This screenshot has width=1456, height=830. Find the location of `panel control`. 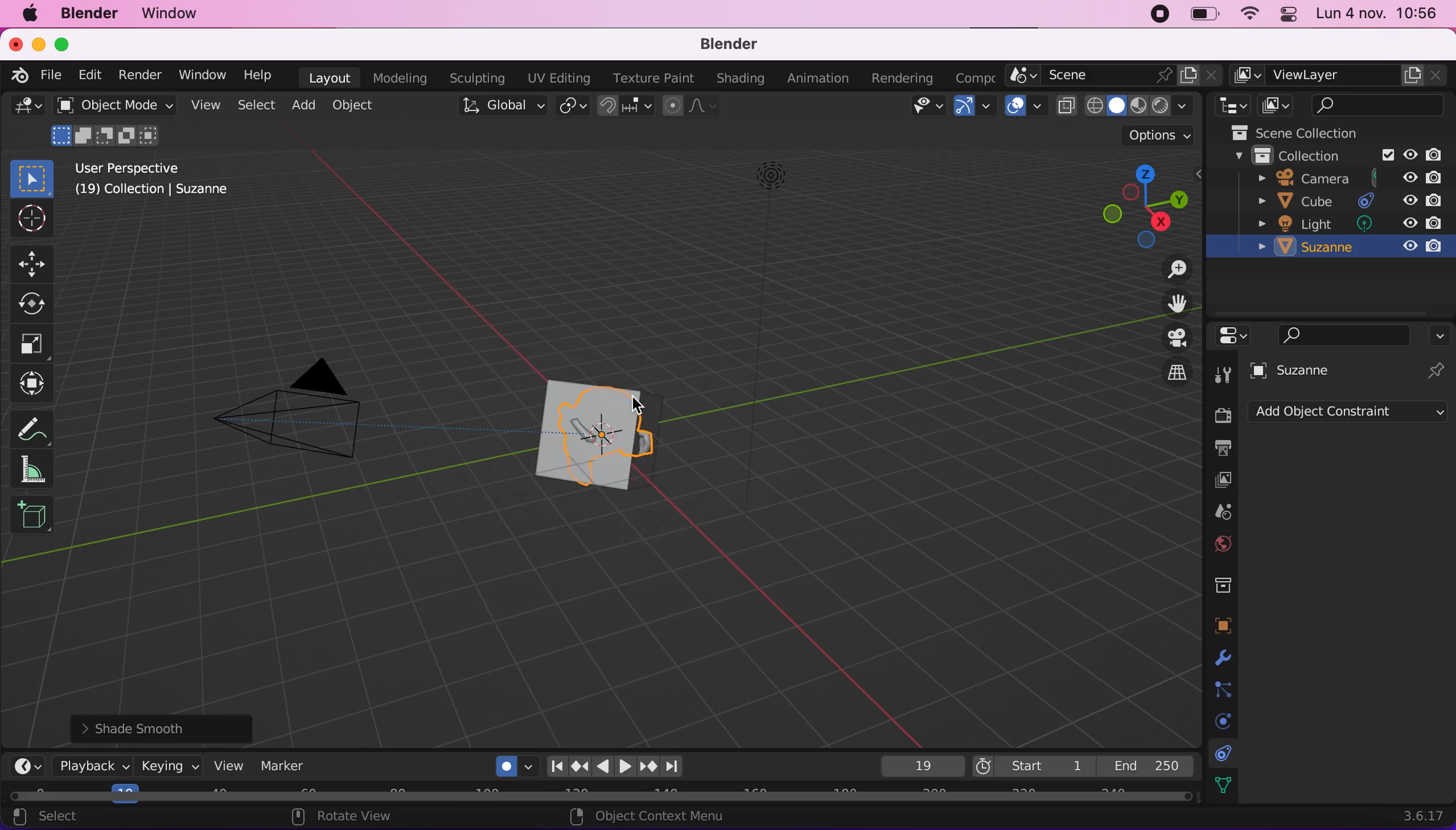

panel control is located at coordinates (1290, 14).